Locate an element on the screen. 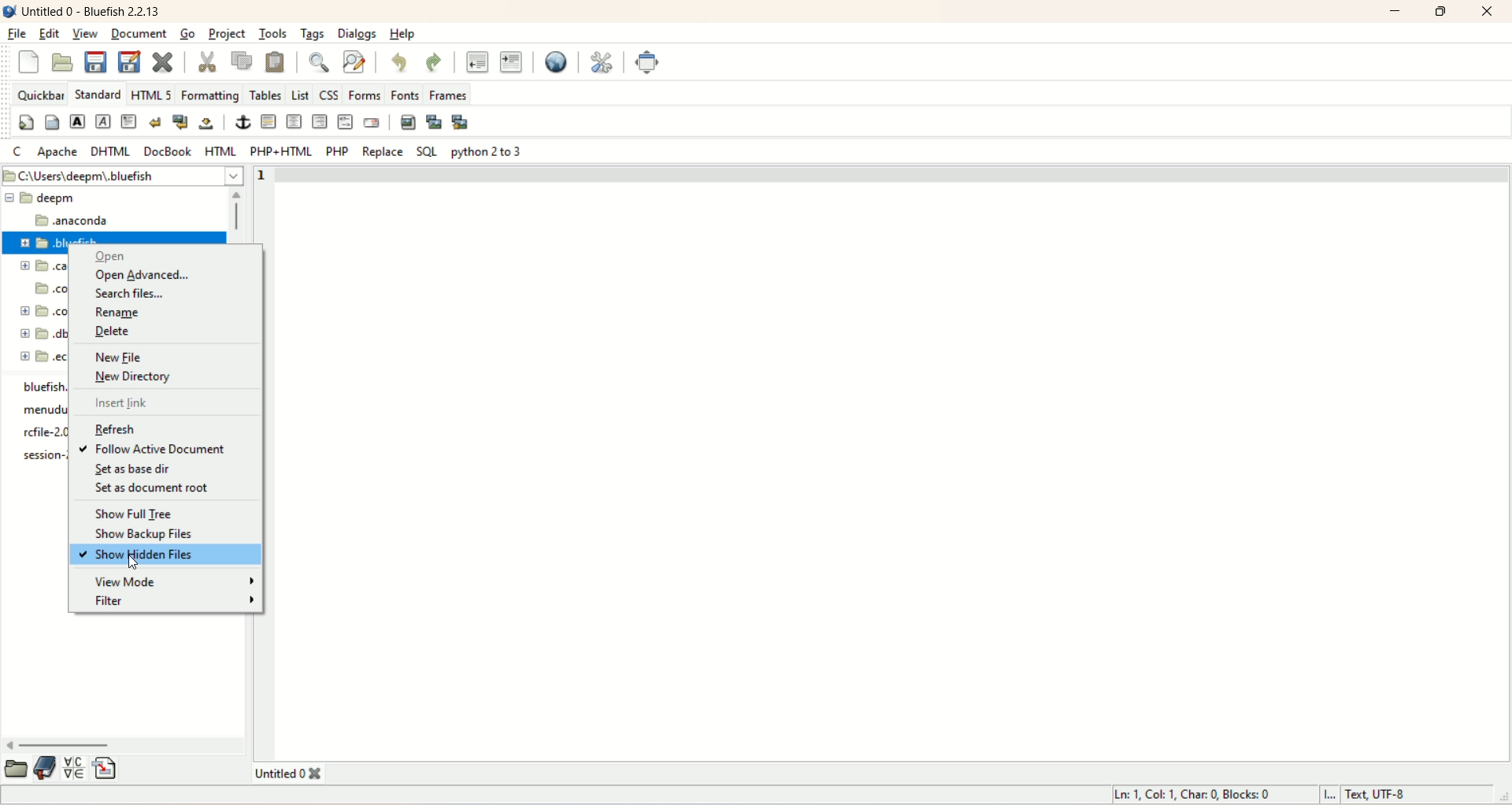 The height and width of the screenshot is (805, 1512). document is located at coordinates (140, 35).